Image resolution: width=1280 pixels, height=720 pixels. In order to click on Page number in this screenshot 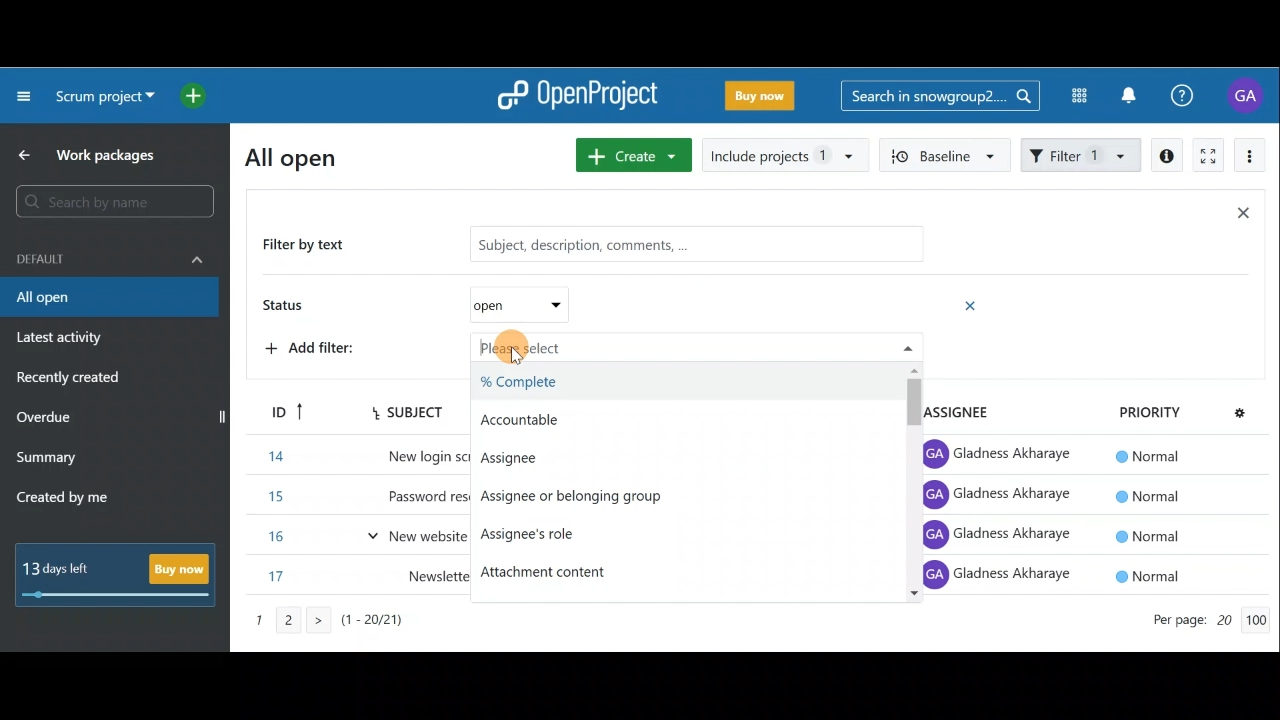, I will do `click(360, 626)`.